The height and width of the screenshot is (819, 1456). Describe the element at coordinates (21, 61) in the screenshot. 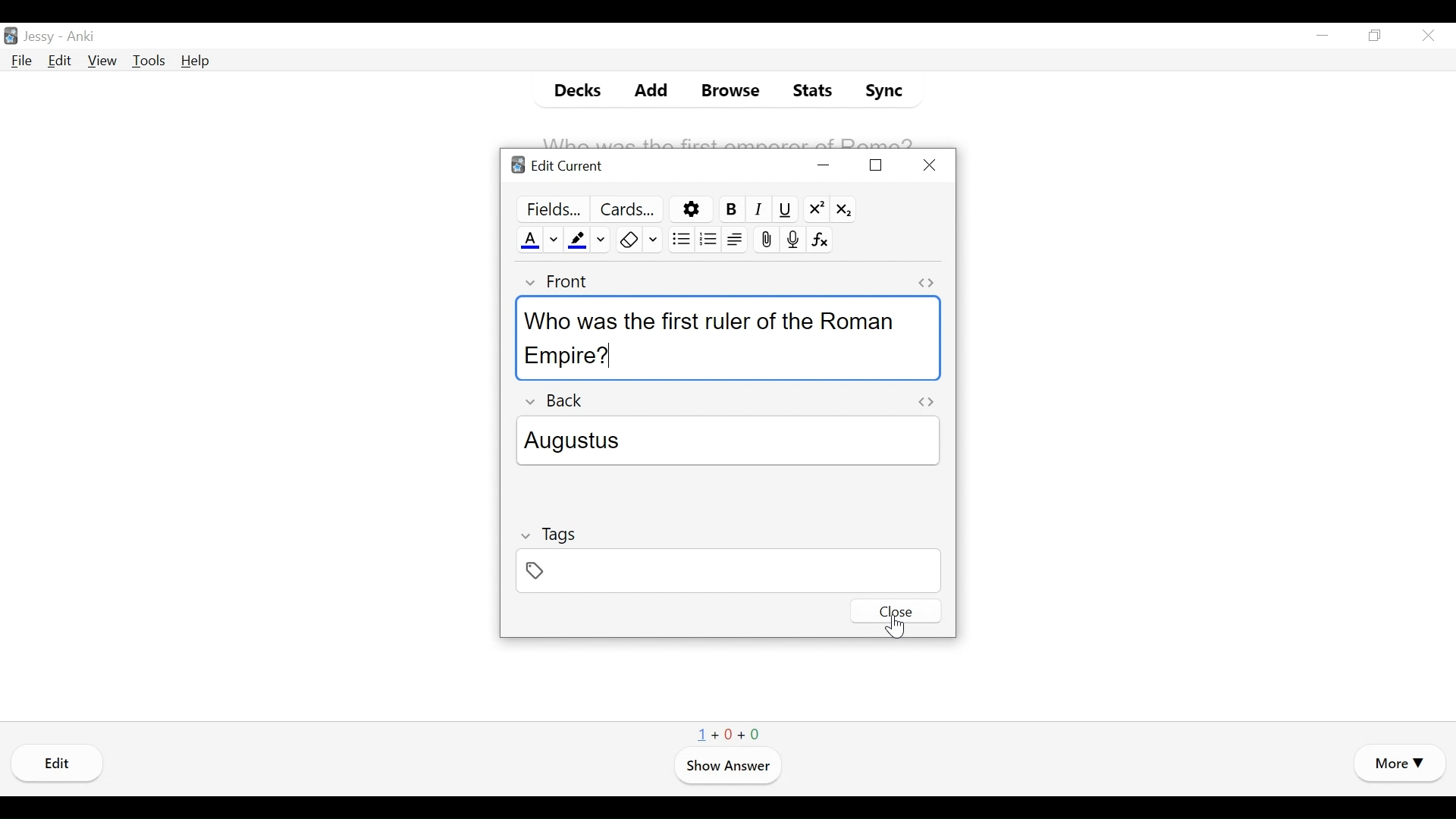

I see `File` at that location.